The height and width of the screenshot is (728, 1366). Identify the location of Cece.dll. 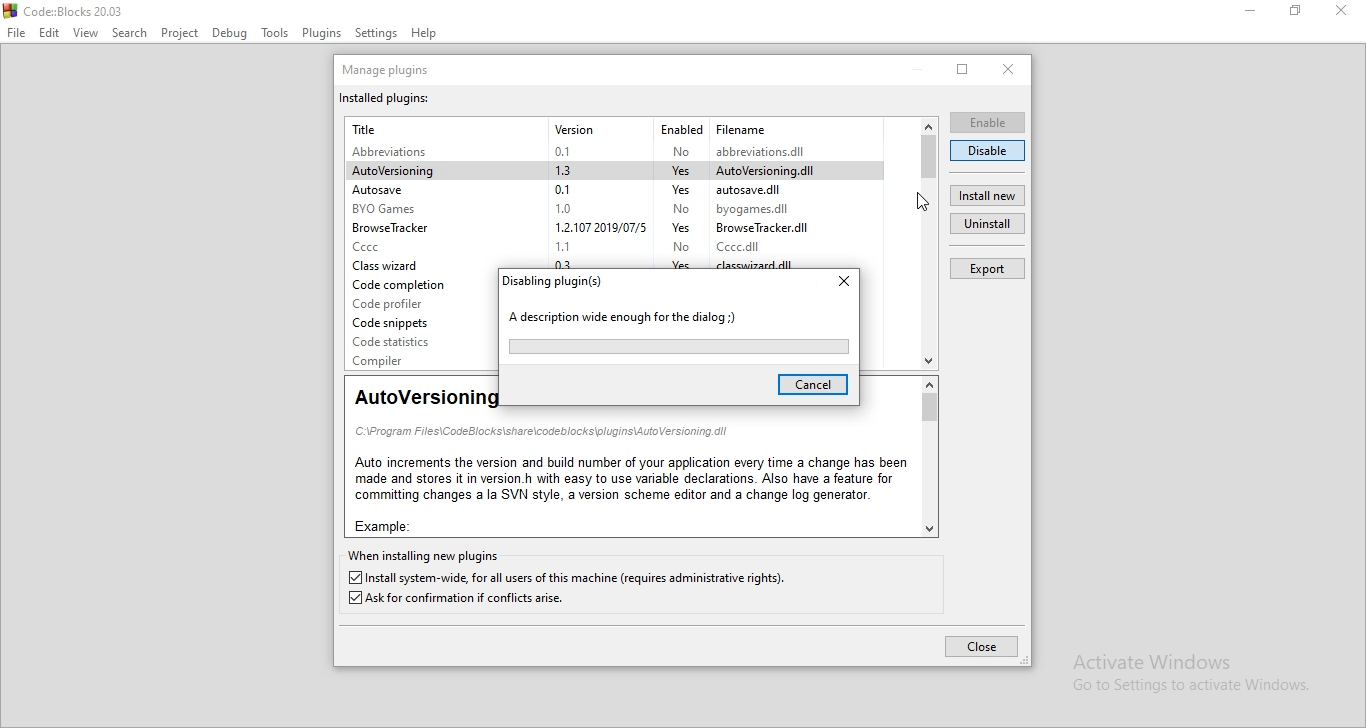
(749, 247).